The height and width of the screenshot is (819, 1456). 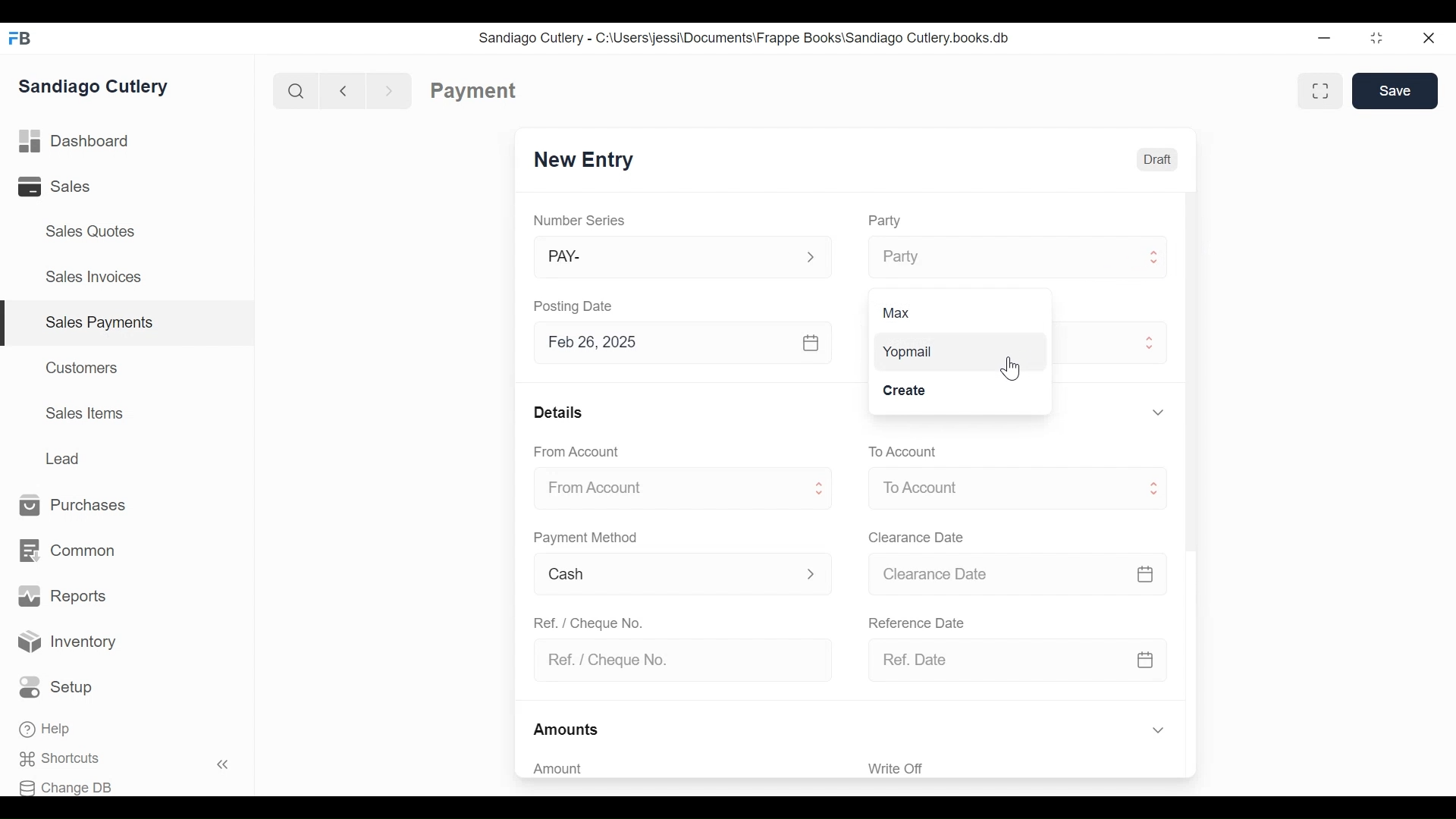 I want to click on Ref. Date, so click(x=996, y=660).